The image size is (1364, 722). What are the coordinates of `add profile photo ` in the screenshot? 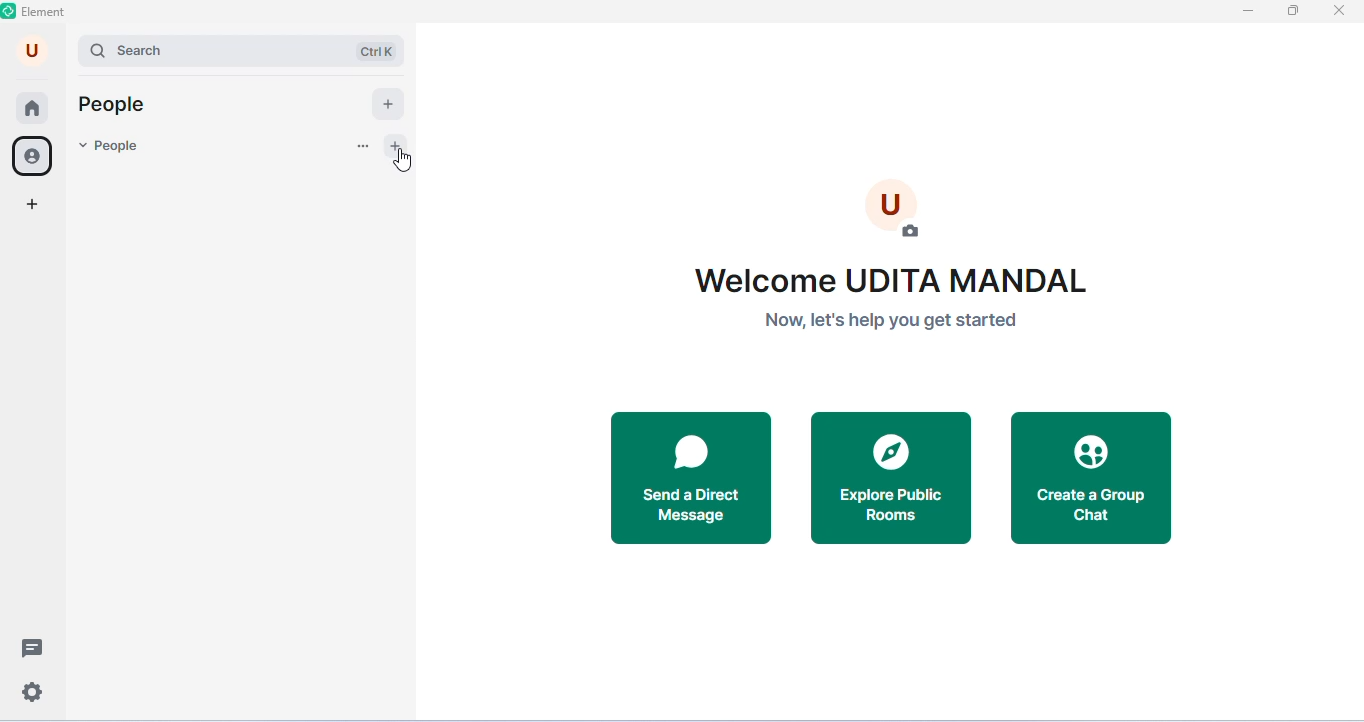 It's located at (895, 205).